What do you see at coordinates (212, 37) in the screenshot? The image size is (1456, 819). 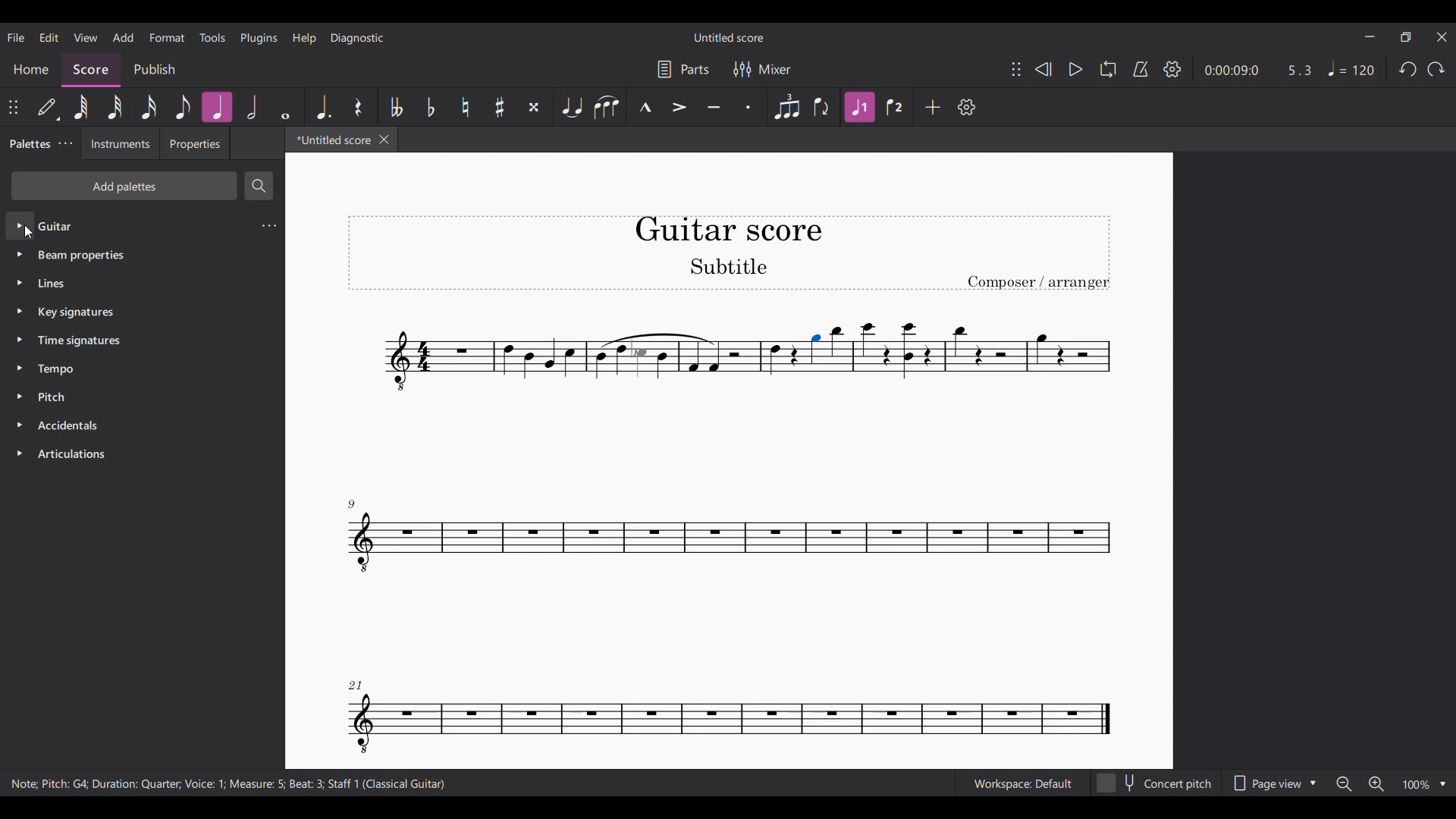 I see `Tools menu` at bounding box center [212, 37].